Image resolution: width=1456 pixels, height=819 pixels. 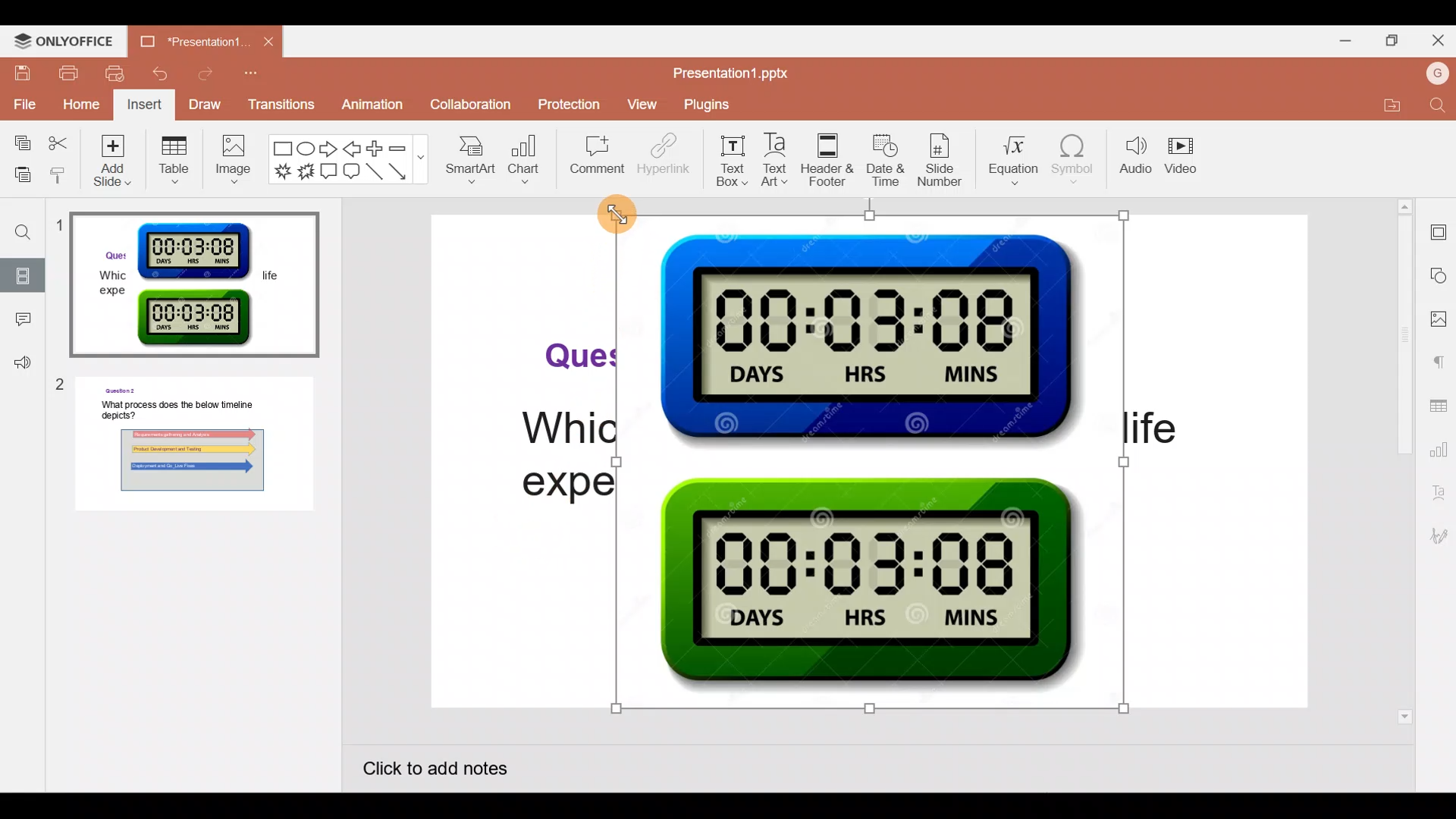 What do you see at coordinates (355, 173) in the screenshot?
I see `Rounded Rectangular callout` at bounding box center [355, 173].